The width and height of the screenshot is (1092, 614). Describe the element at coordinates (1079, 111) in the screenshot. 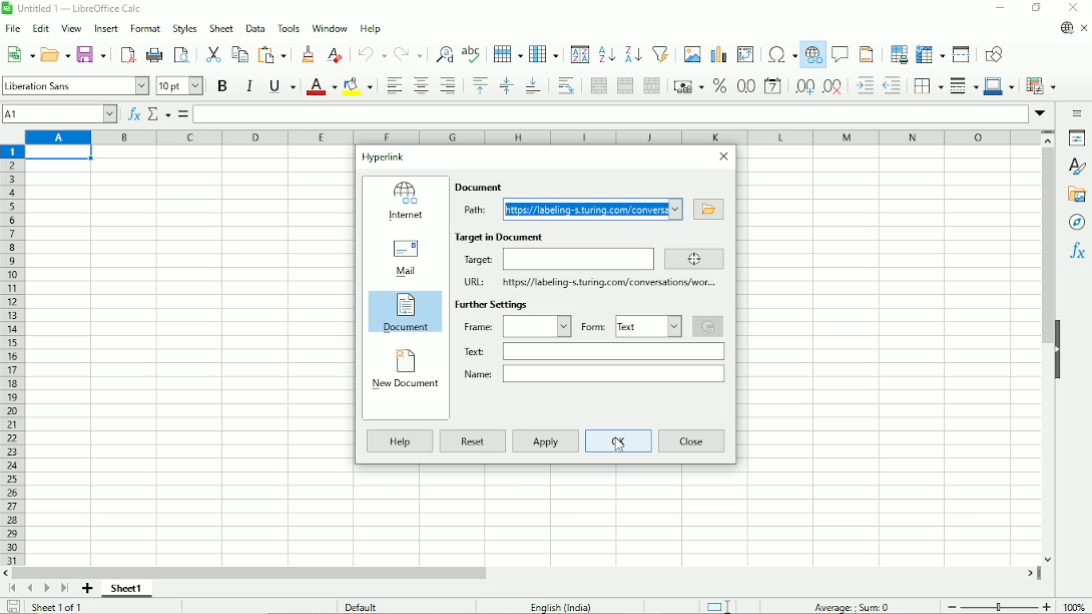

I see `Sidebar settings` at that location.